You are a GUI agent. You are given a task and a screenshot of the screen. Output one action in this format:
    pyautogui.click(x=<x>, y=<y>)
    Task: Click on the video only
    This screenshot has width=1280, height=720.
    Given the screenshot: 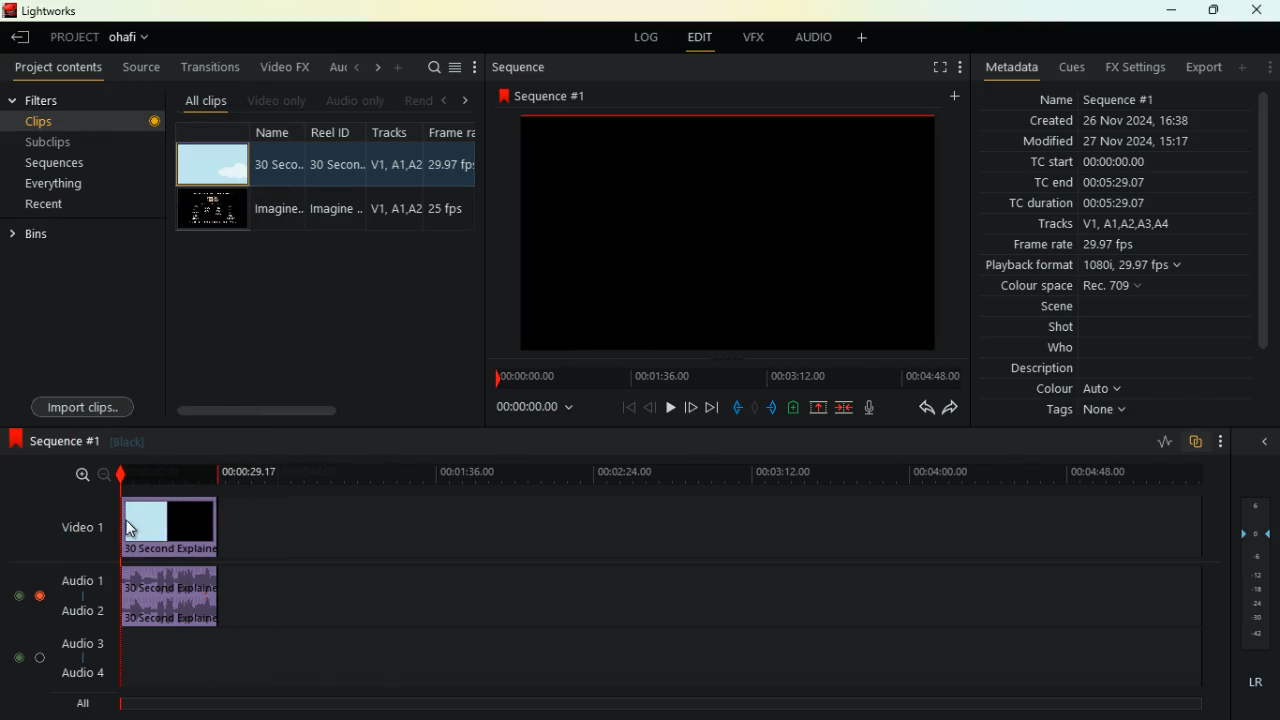 What is the action you would take?
    pyautogui.click(x=279, y=101)
    